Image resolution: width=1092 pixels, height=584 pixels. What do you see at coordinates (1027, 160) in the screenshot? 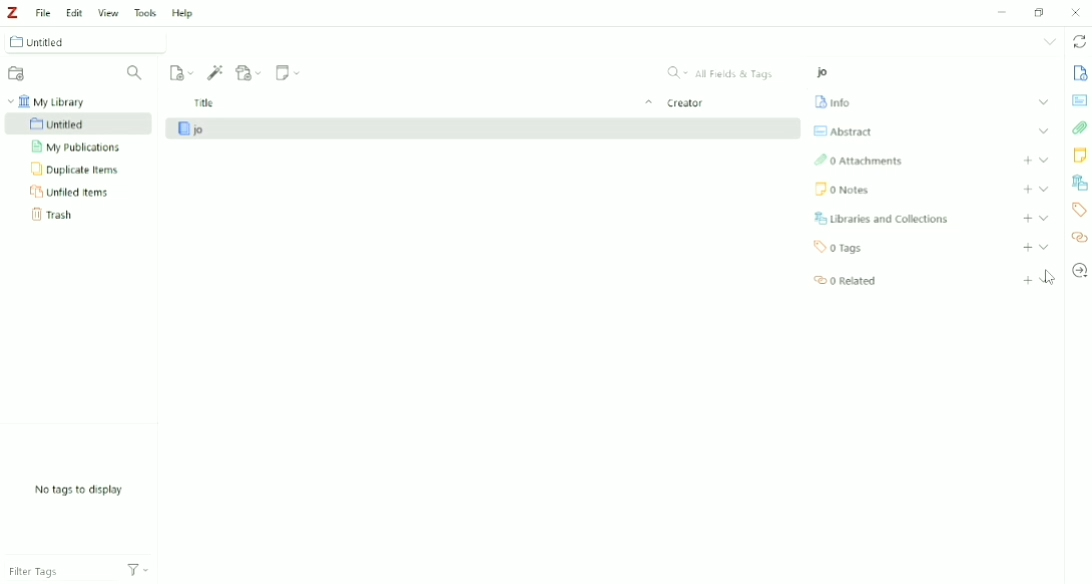
I see `Ad` at bounding box center [1027, 160].